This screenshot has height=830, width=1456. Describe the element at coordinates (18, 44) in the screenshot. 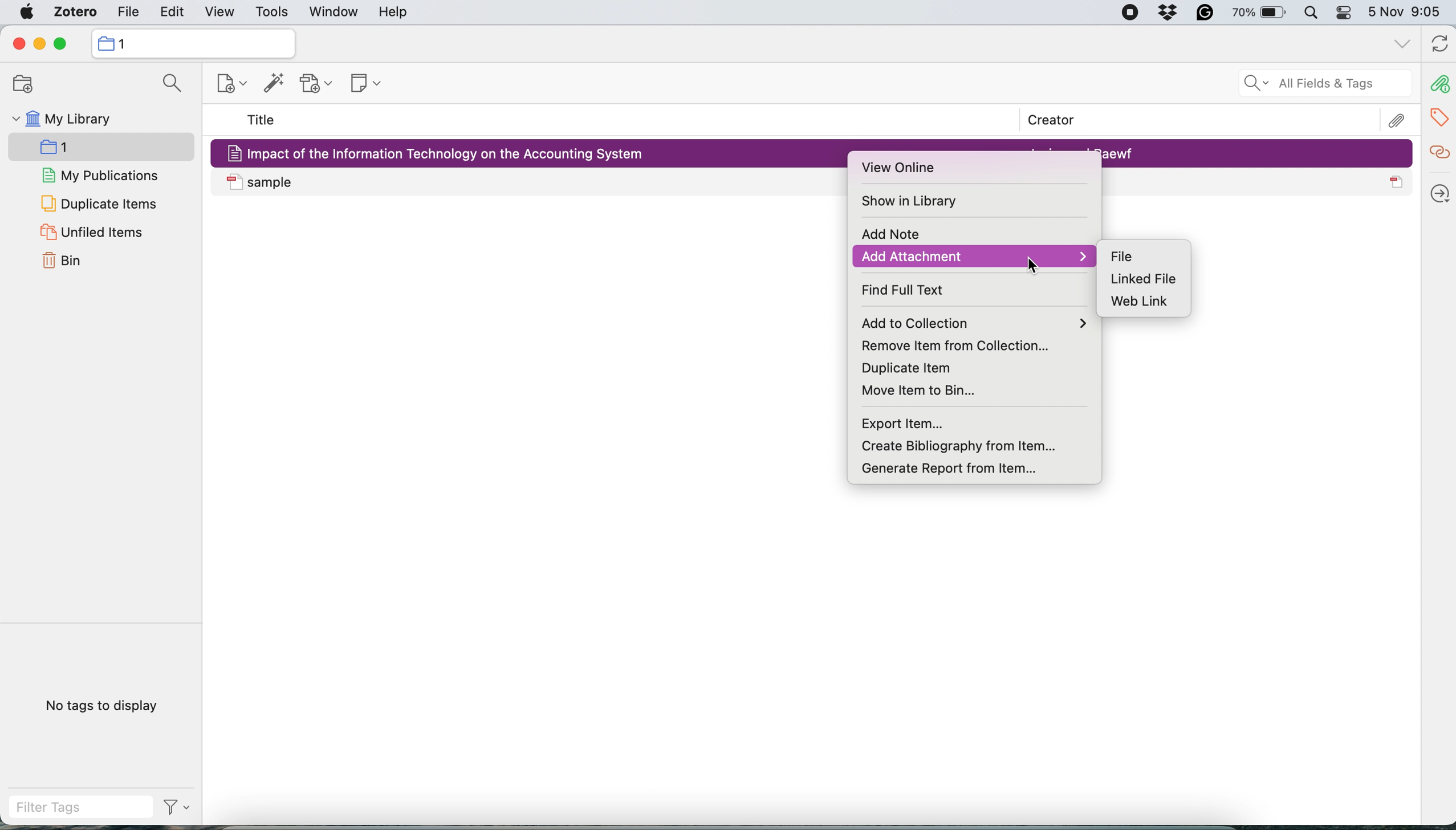

I see `close` at that location.